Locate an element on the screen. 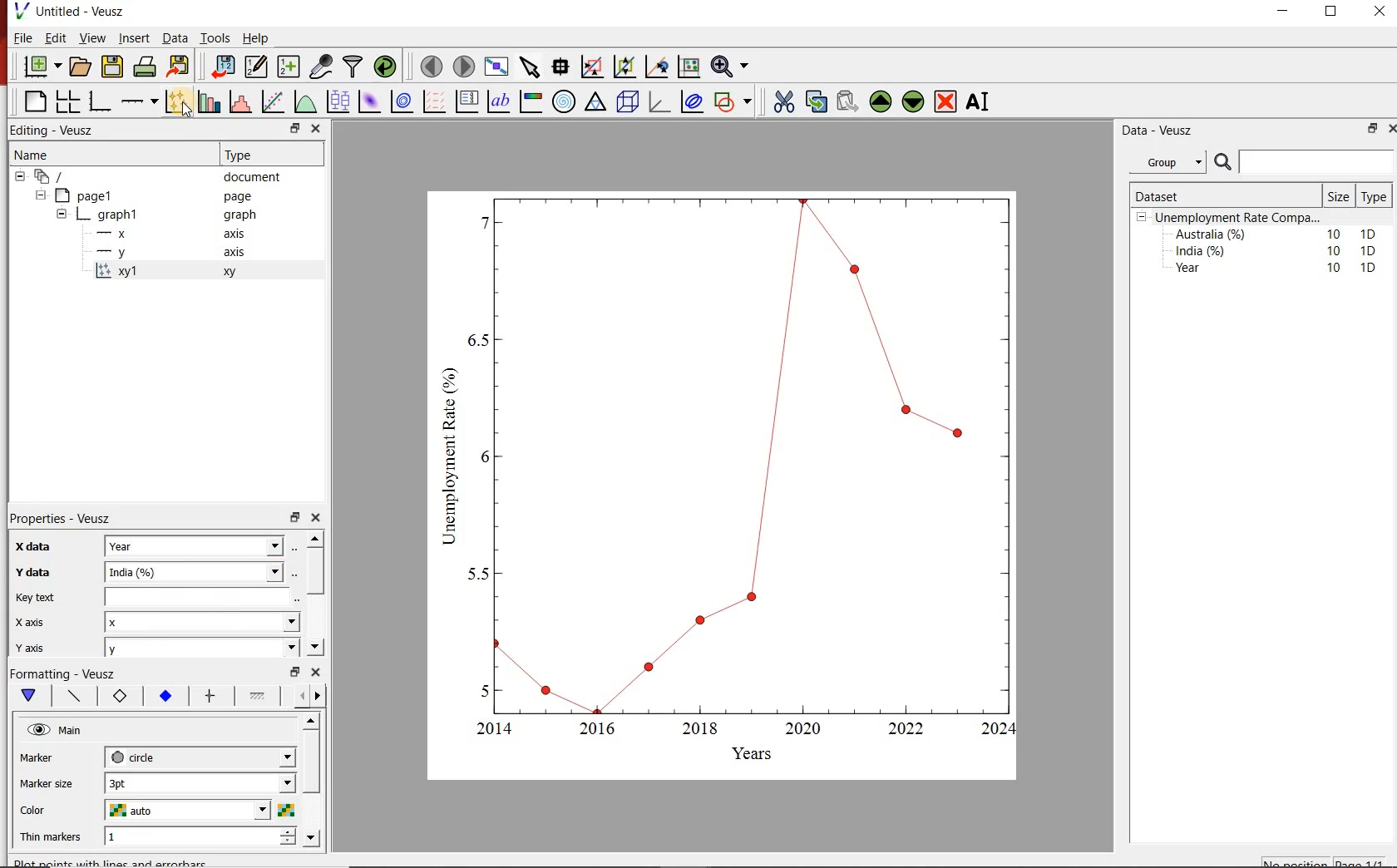 This screenshot has width=1397, height=868. main is located at coordinates (32, 696).